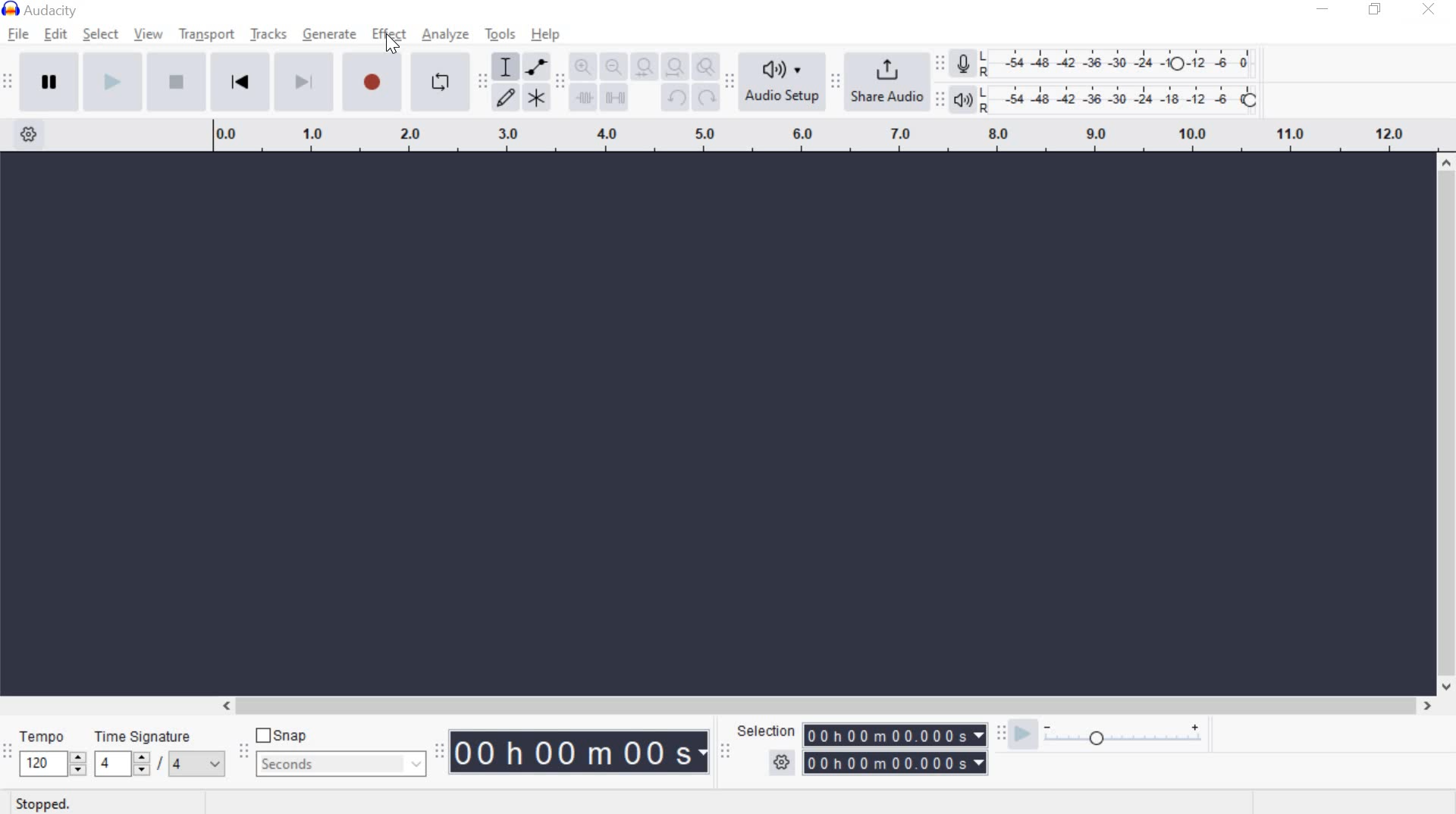  I want to click on playback speed, so click(1025, 737).